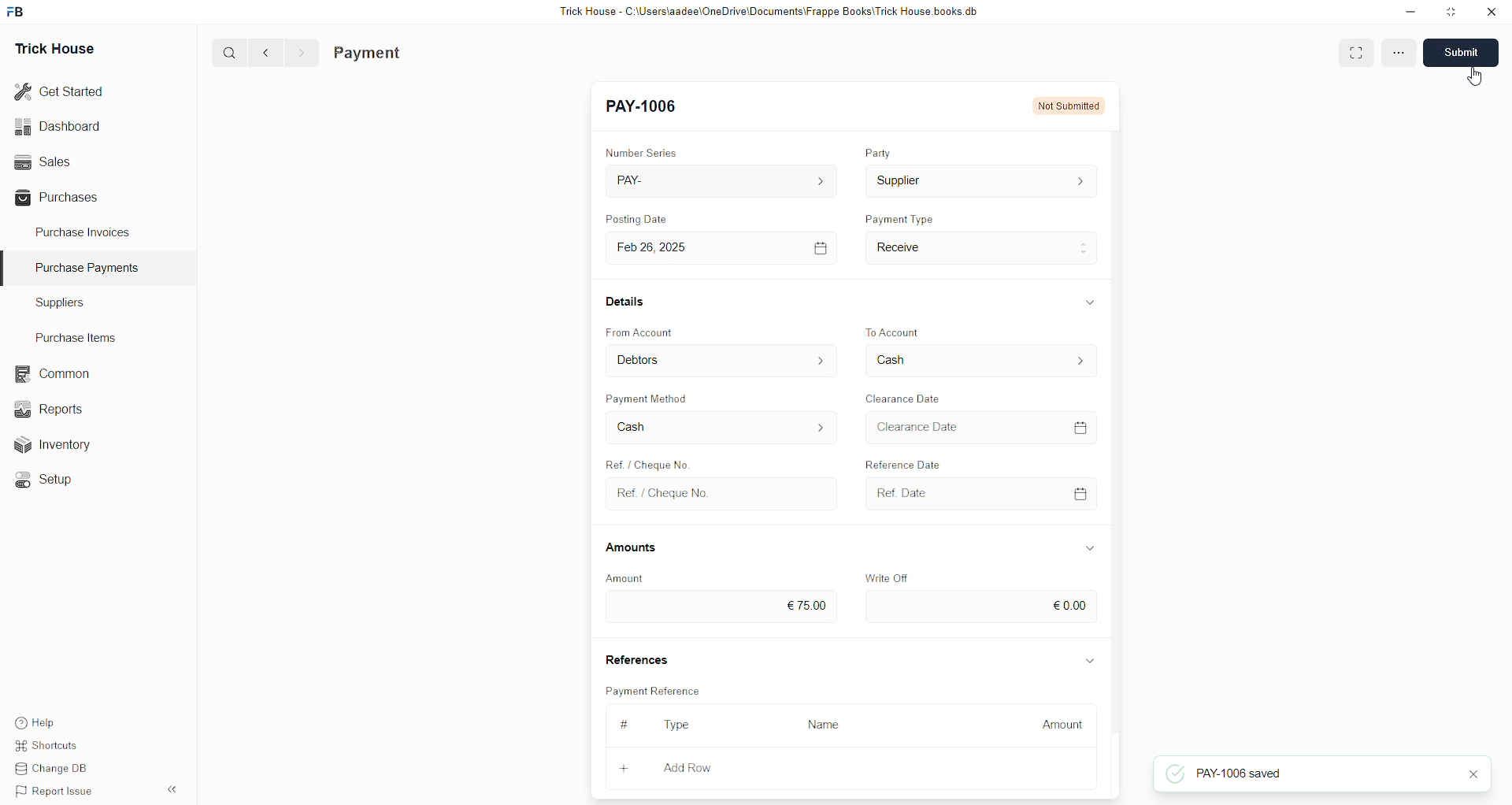 The width and height of the screenshot is (1512, 805). I want to click on From Account, so click(642, 331).